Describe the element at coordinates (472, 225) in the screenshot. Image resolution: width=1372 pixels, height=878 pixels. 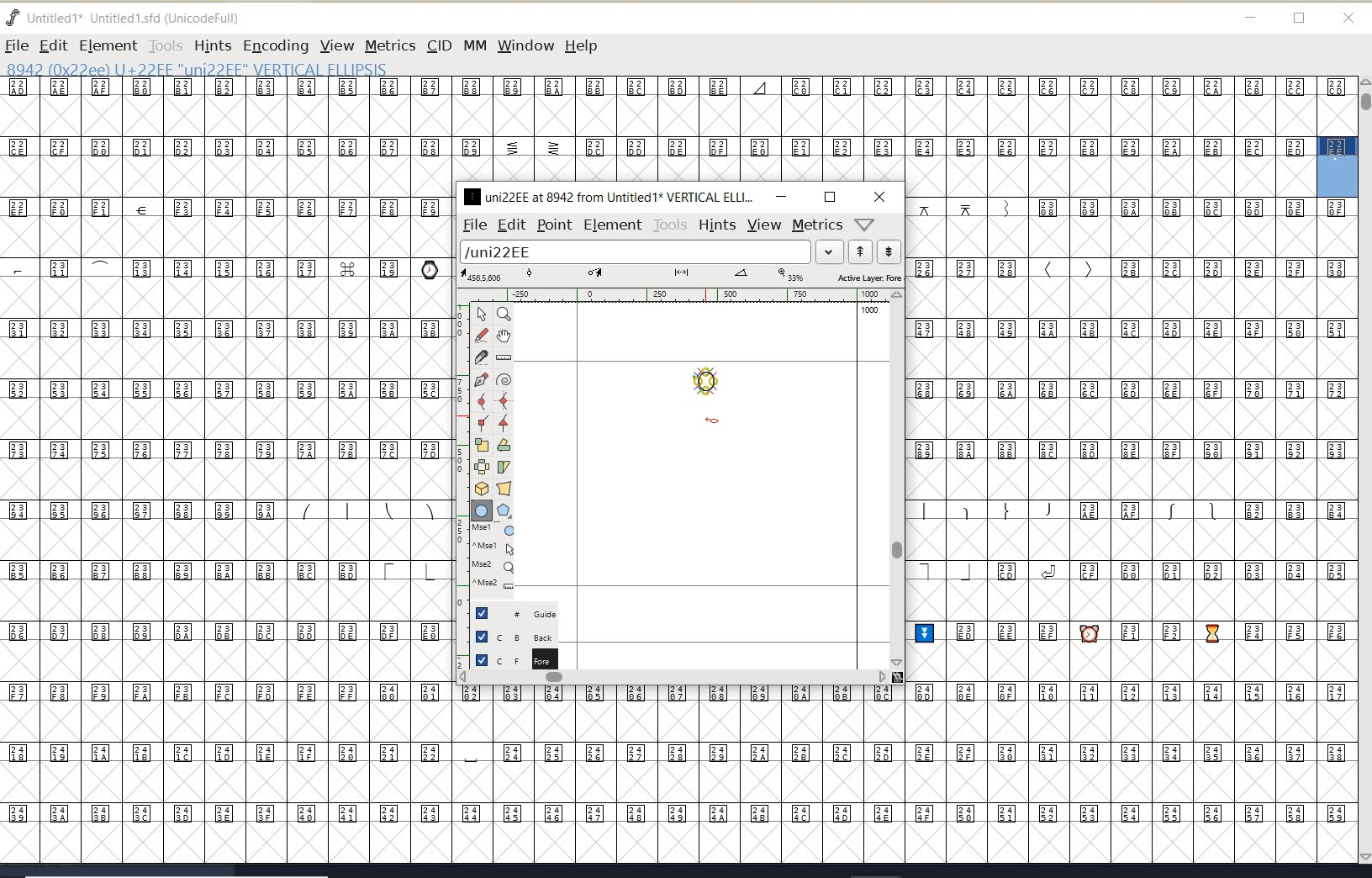
I see `file` at that location.